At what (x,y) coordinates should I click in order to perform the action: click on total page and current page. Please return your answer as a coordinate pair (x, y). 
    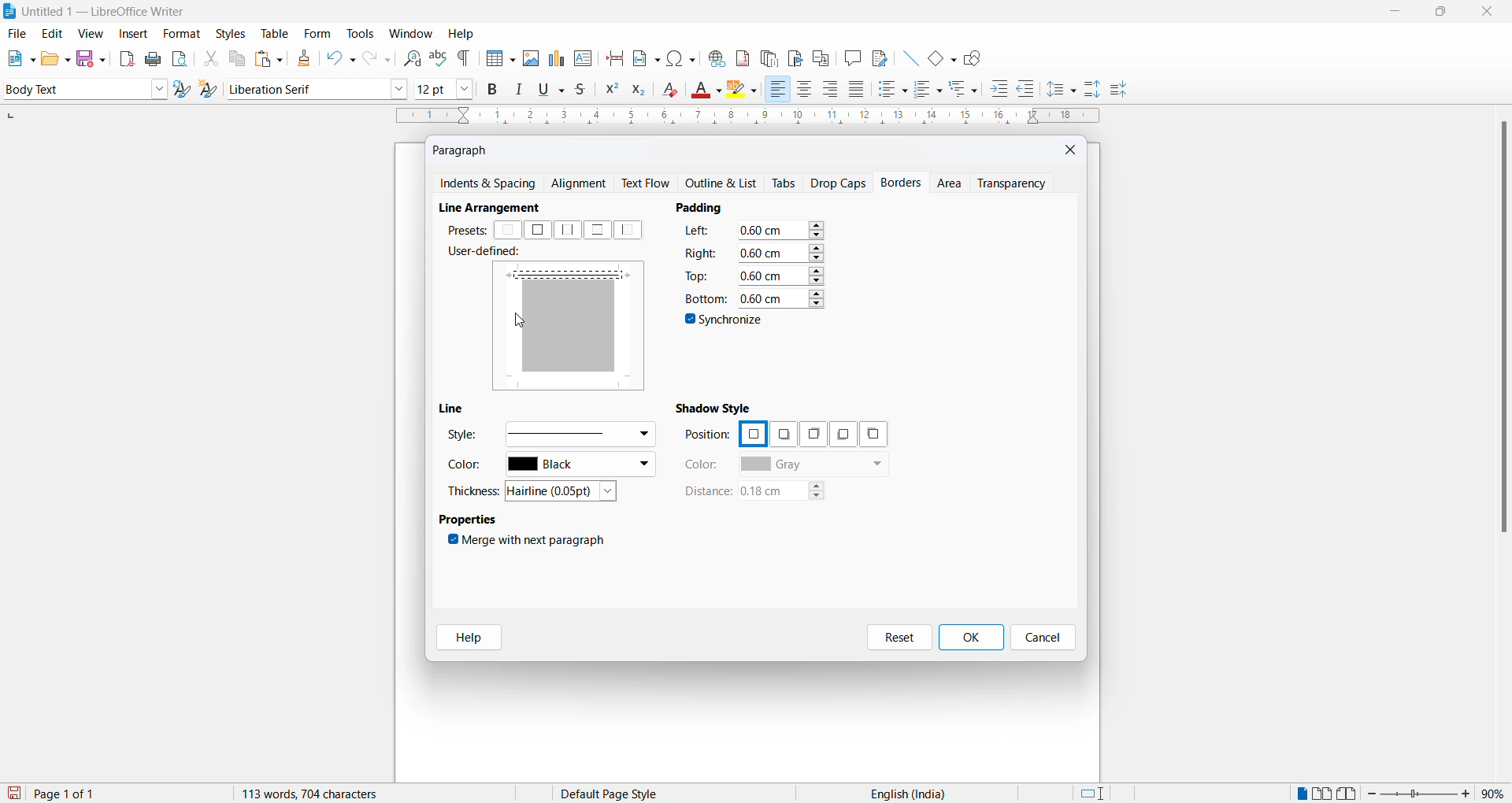
    Looking at the image, I should click on (79, 794).